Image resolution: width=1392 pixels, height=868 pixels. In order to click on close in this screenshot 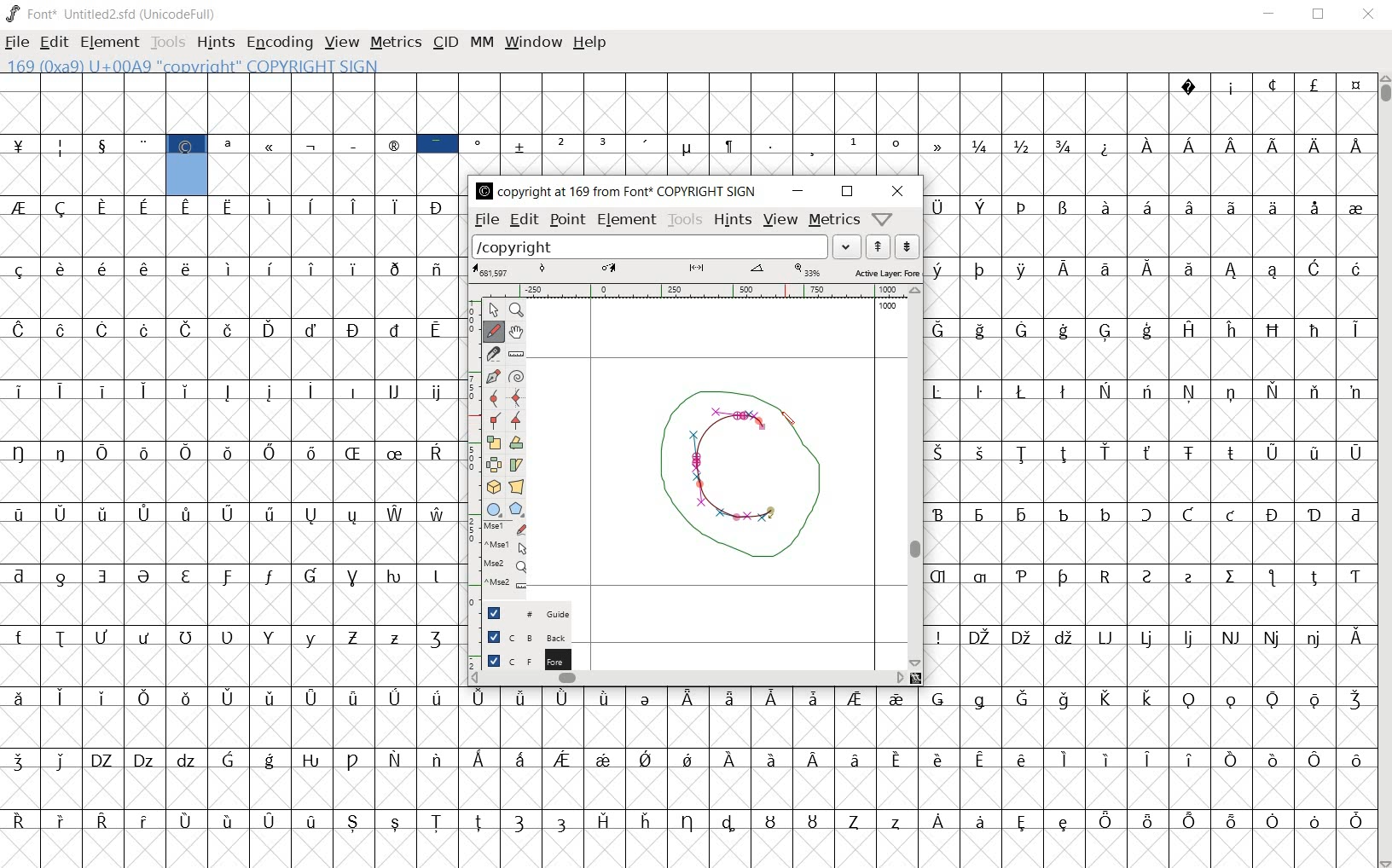, I will do `click(1369, 14)`.